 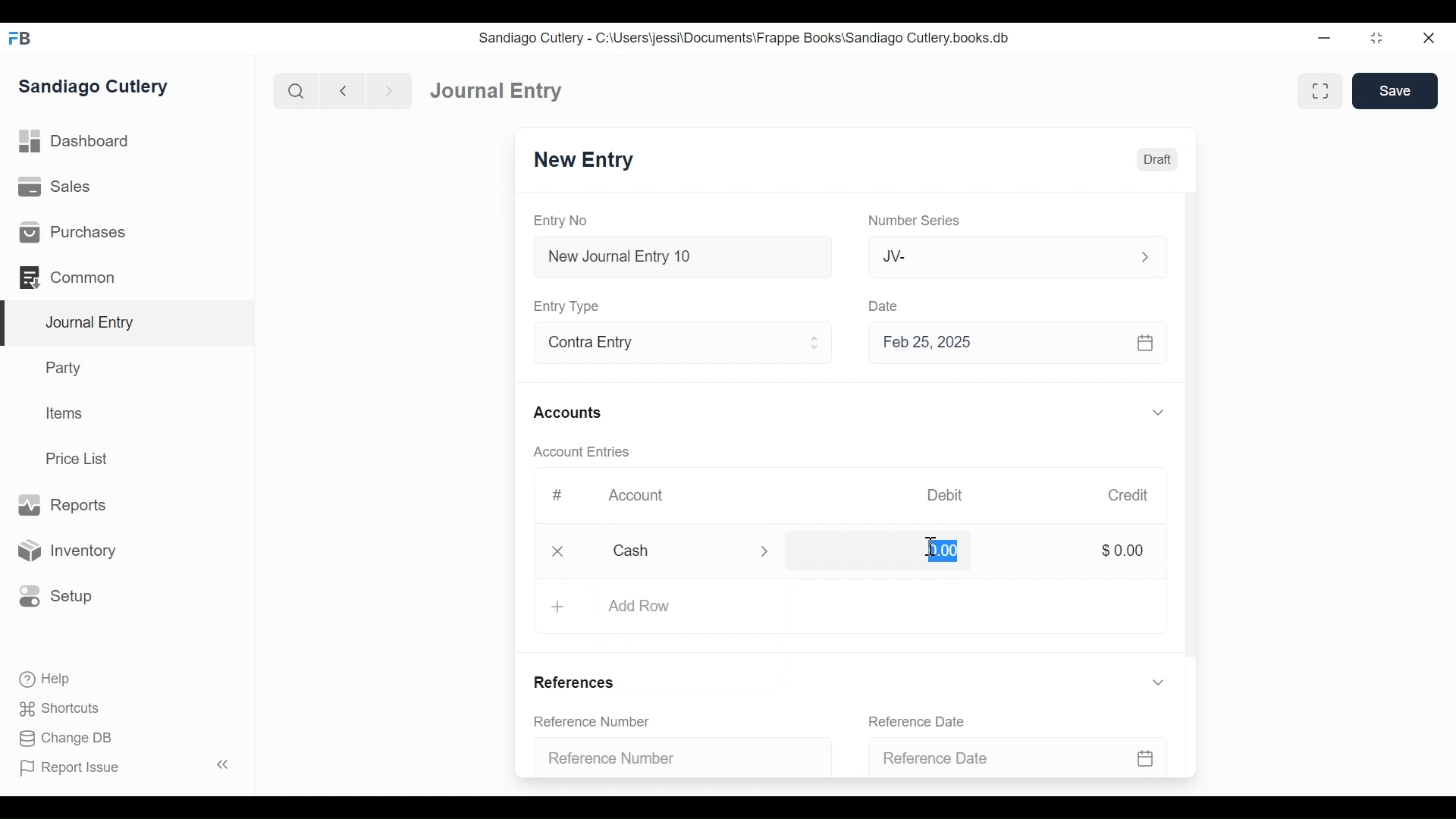 I want to click on Account, so click(x=638, y=497).